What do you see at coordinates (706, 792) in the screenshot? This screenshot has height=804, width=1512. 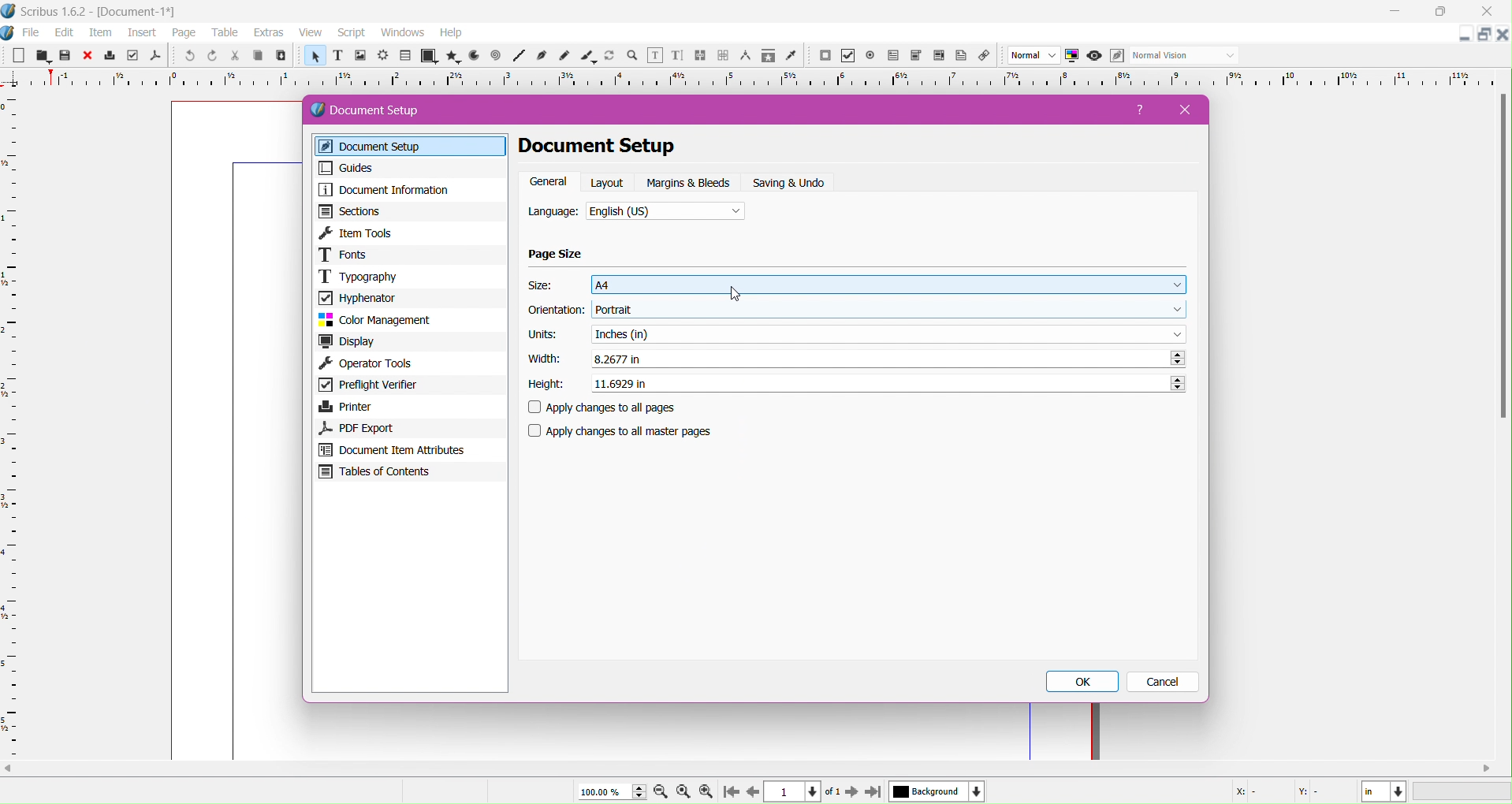 I see `zoom in` at bounding box center [706, 792].